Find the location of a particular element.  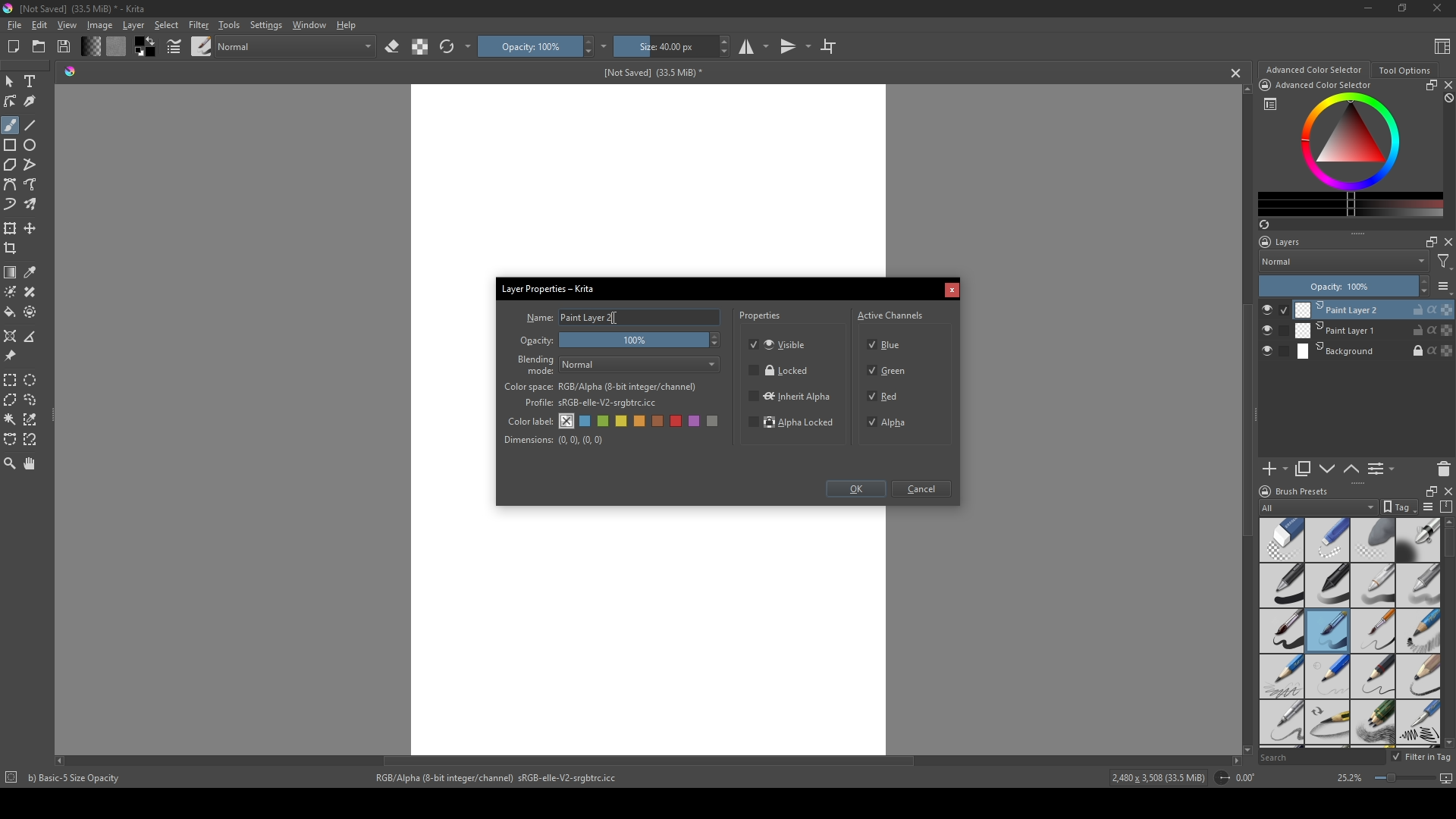

2,480 x 3,508 (33.5 MiB) is located at coordinates (1156, 780).